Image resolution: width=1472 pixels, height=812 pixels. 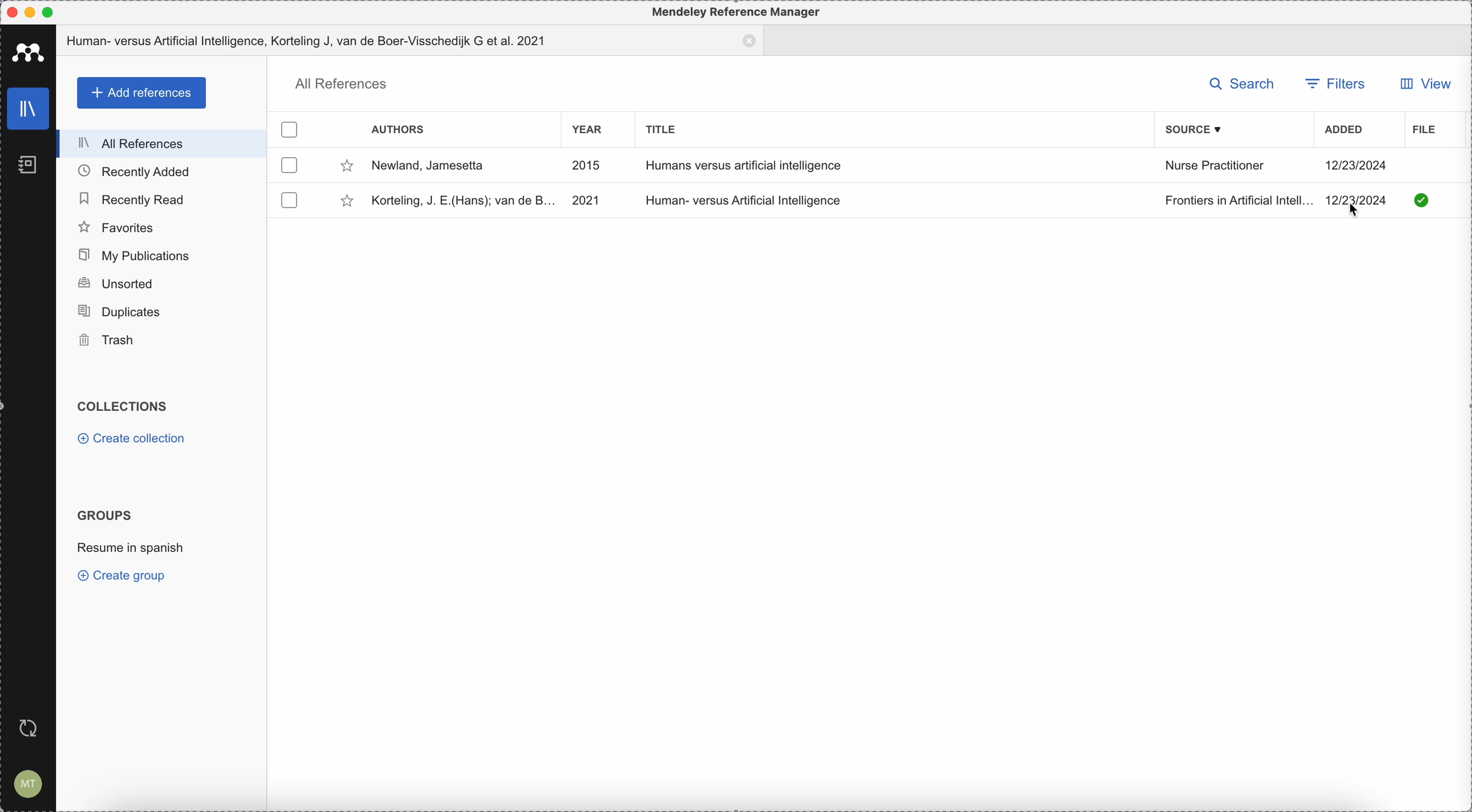 What do you see at coordinates (161, 285) in the screenshot?
I see `unsorted` at bounding box center [161, 285].